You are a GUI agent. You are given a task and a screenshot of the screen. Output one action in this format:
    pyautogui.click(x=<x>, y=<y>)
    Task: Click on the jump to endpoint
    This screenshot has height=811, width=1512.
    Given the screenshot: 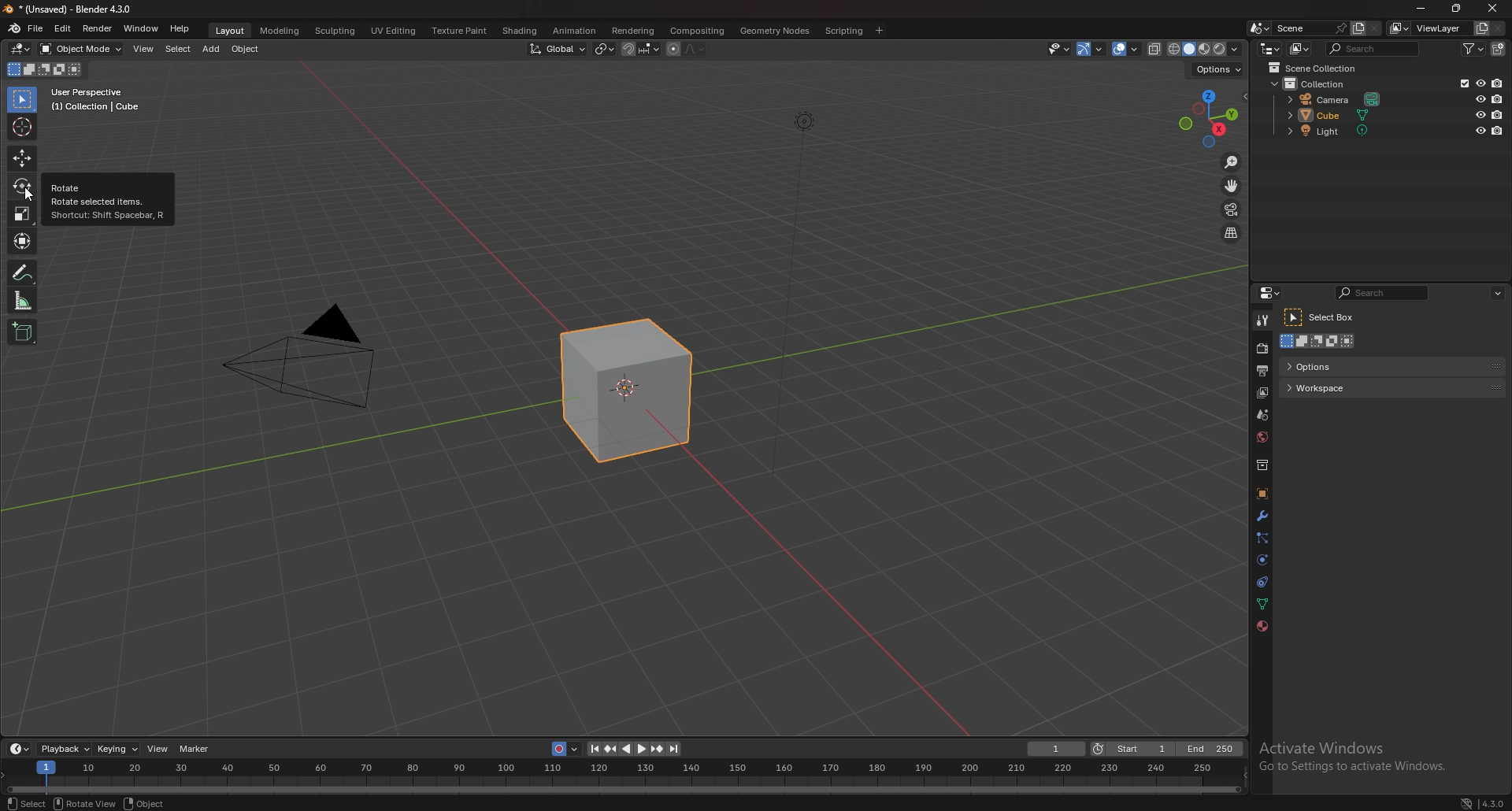 What is the action you would take?
    pyautogui.click(x=592, y=750)
    